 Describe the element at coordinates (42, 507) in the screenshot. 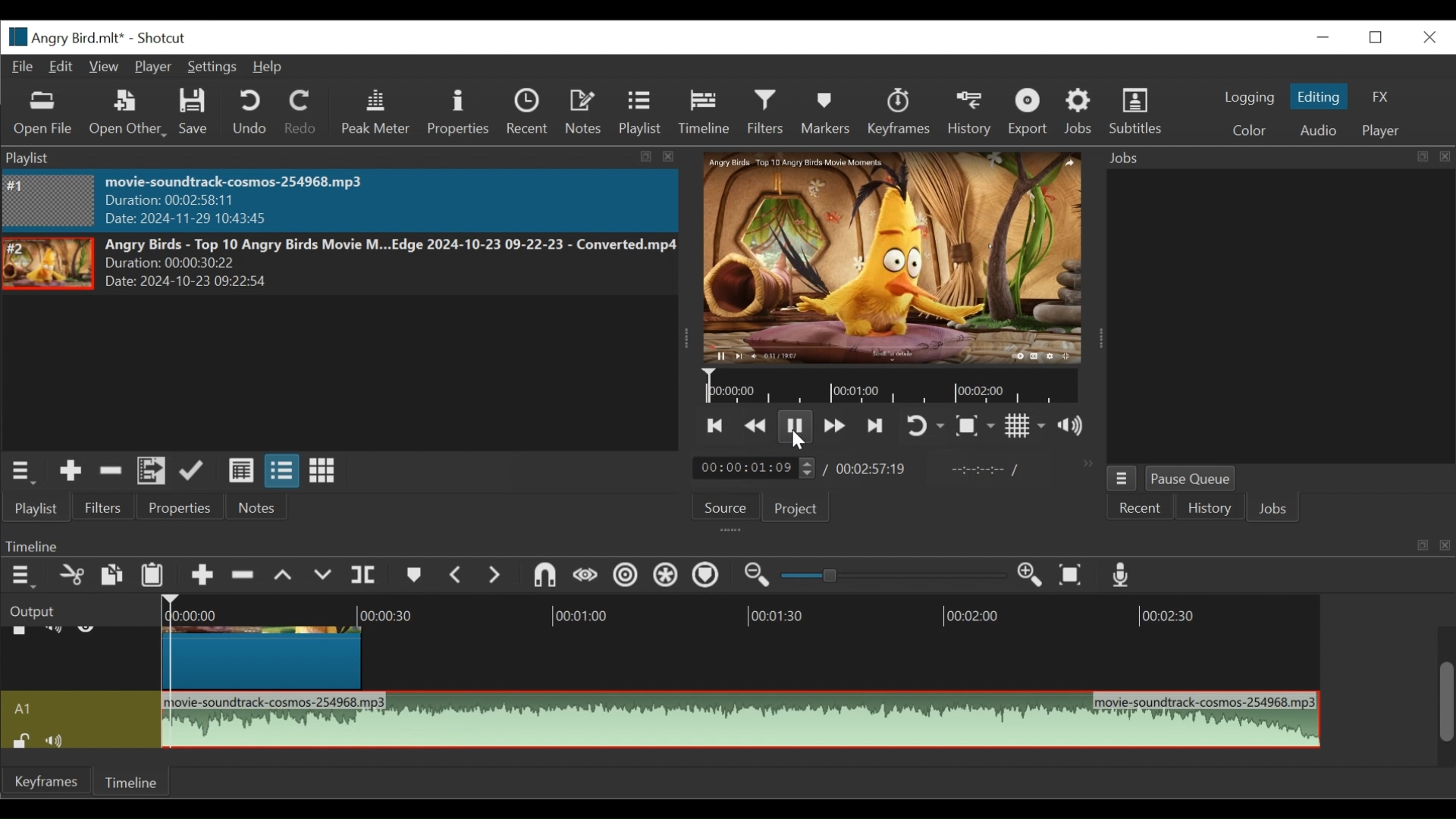

I see `Playlist` at that location.